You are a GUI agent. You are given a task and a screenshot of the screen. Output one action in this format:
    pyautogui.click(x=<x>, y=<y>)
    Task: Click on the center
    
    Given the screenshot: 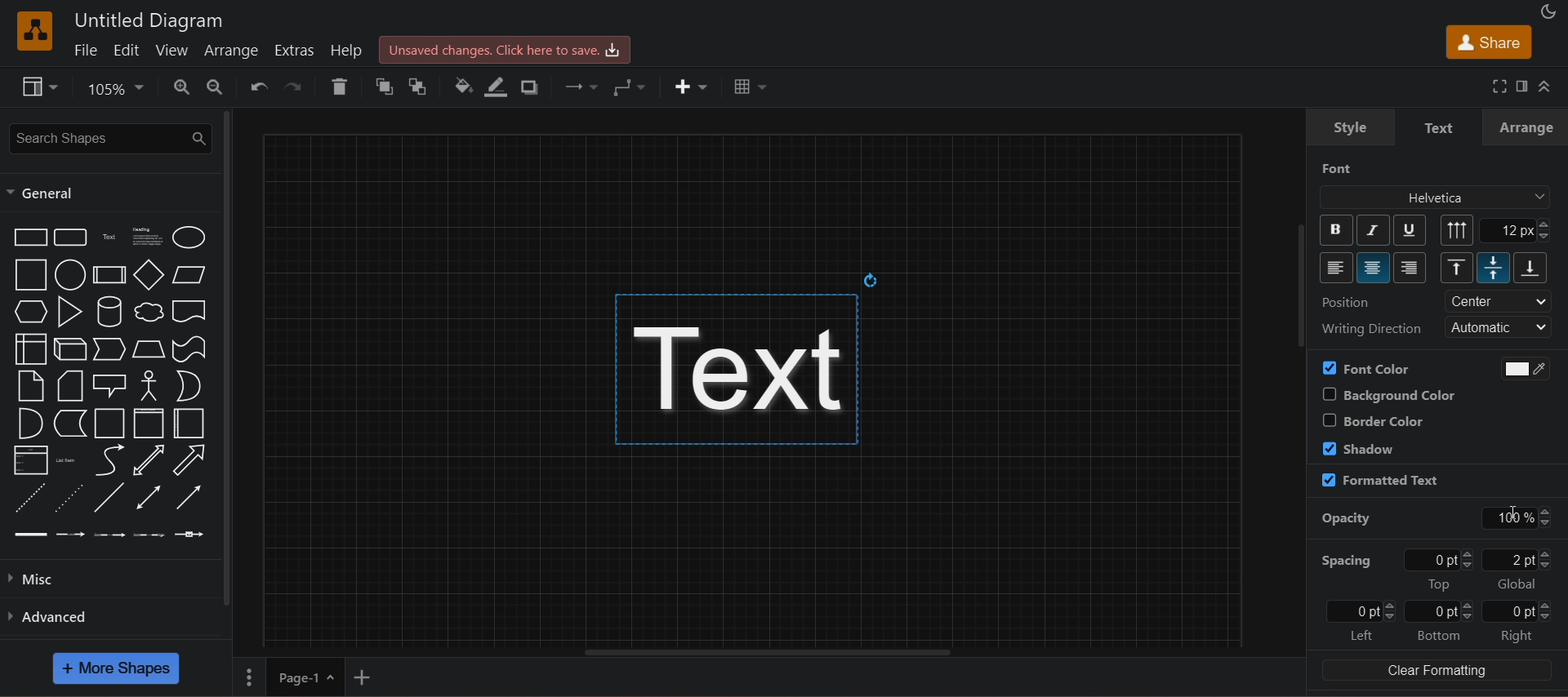 What is the action you would take?
    pyautogui.click(x=1374, y=268)
    